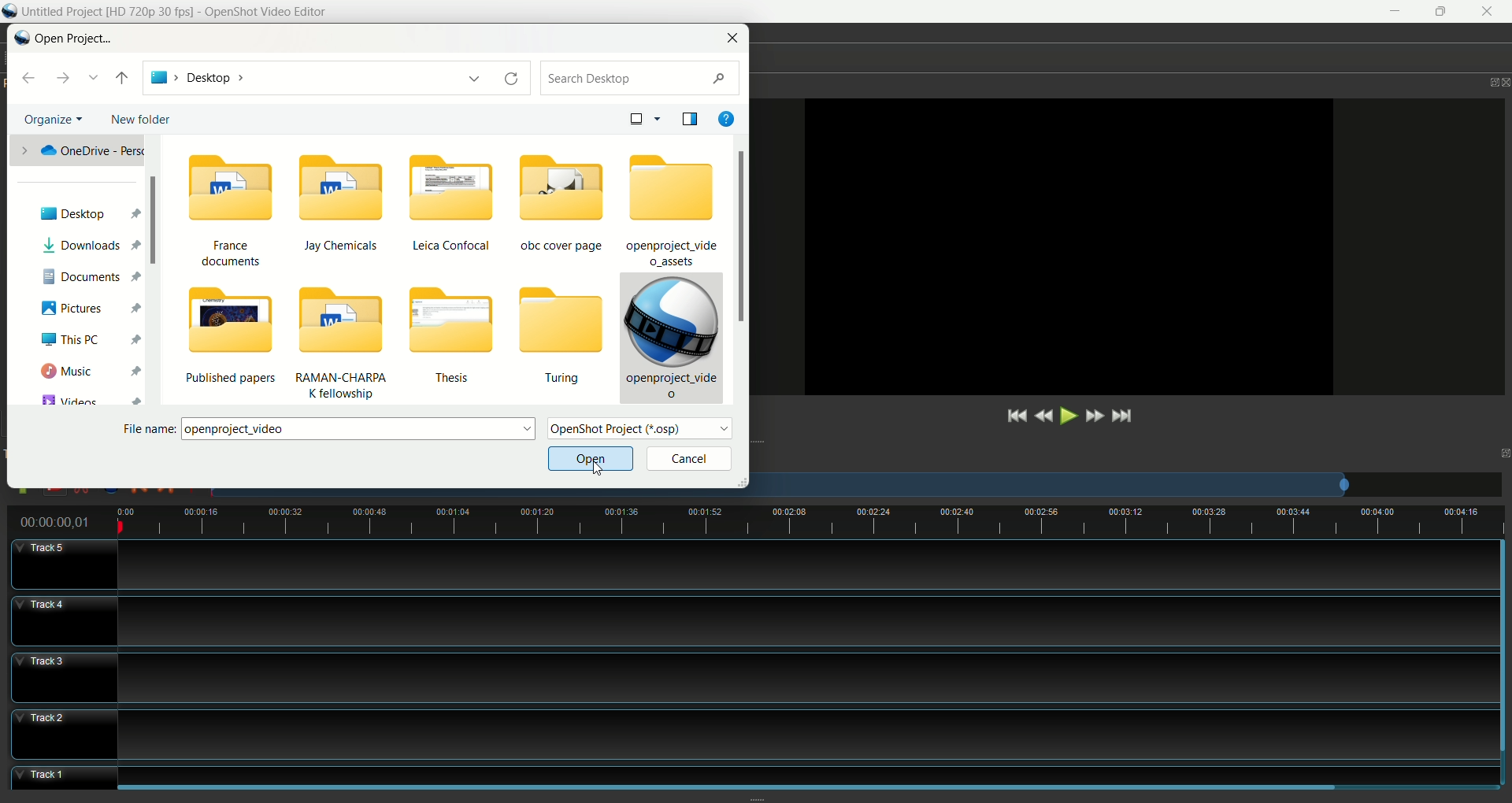  Describe the element at coordinates (65, 78) in the screenshot. I see `forward` at that location.